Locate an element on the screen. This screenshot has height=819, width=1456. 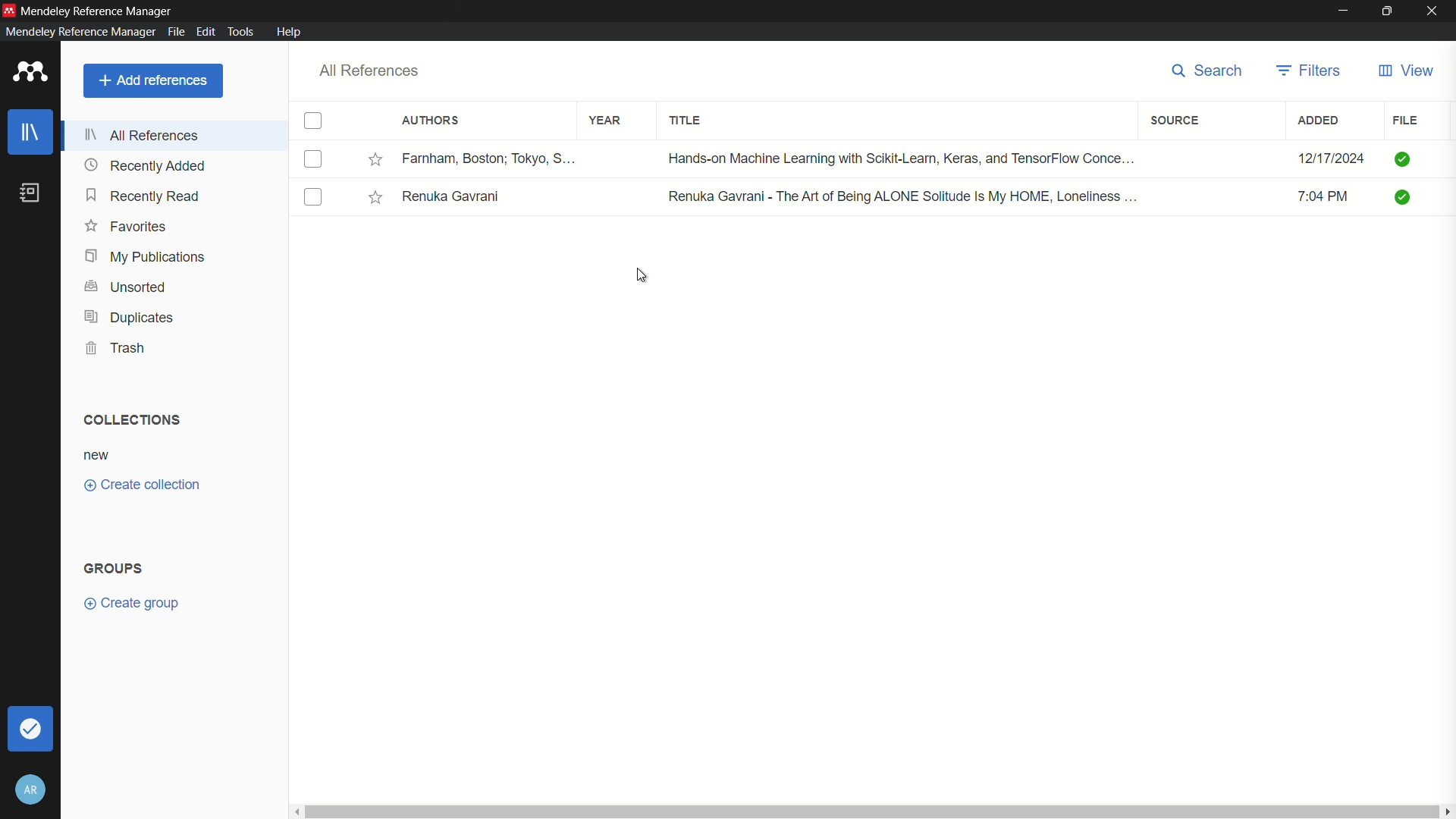
Date is located at coordinates (1312, 155).